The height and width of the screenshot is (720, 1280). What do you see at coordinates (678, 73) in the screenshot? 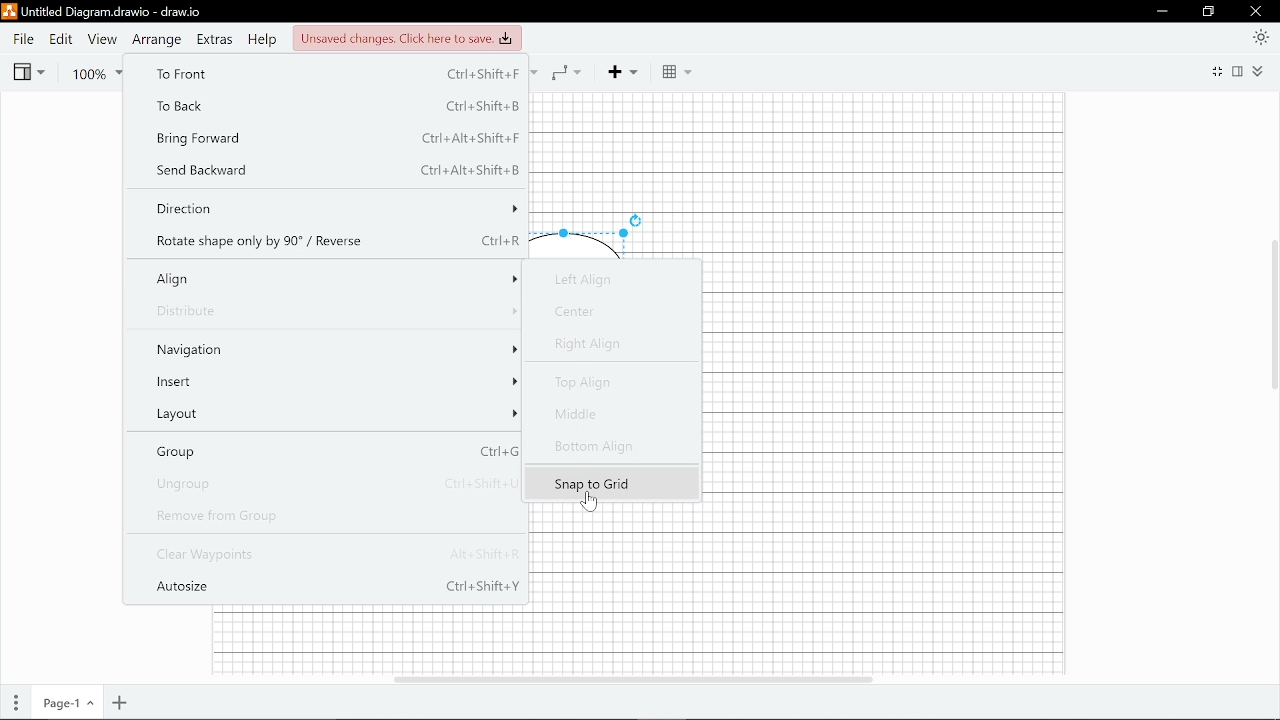
I see `Table` at bounding box center [678, 73].